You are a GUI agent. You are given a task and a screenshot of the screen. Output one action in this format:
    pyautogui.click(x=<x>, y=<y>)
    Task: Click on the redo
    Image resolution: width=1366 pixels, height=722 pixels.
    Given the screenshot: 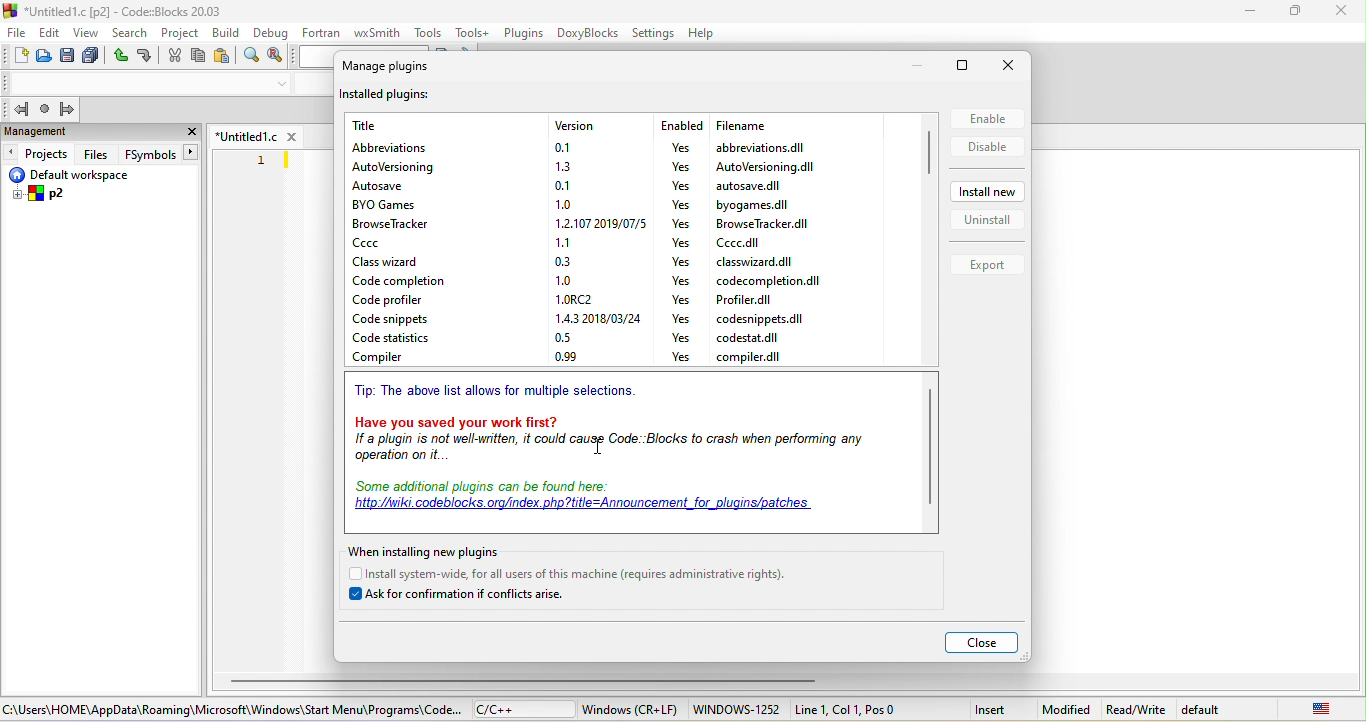 What is the action you would take?
    pyautogui.click(x=148, y=56)
    